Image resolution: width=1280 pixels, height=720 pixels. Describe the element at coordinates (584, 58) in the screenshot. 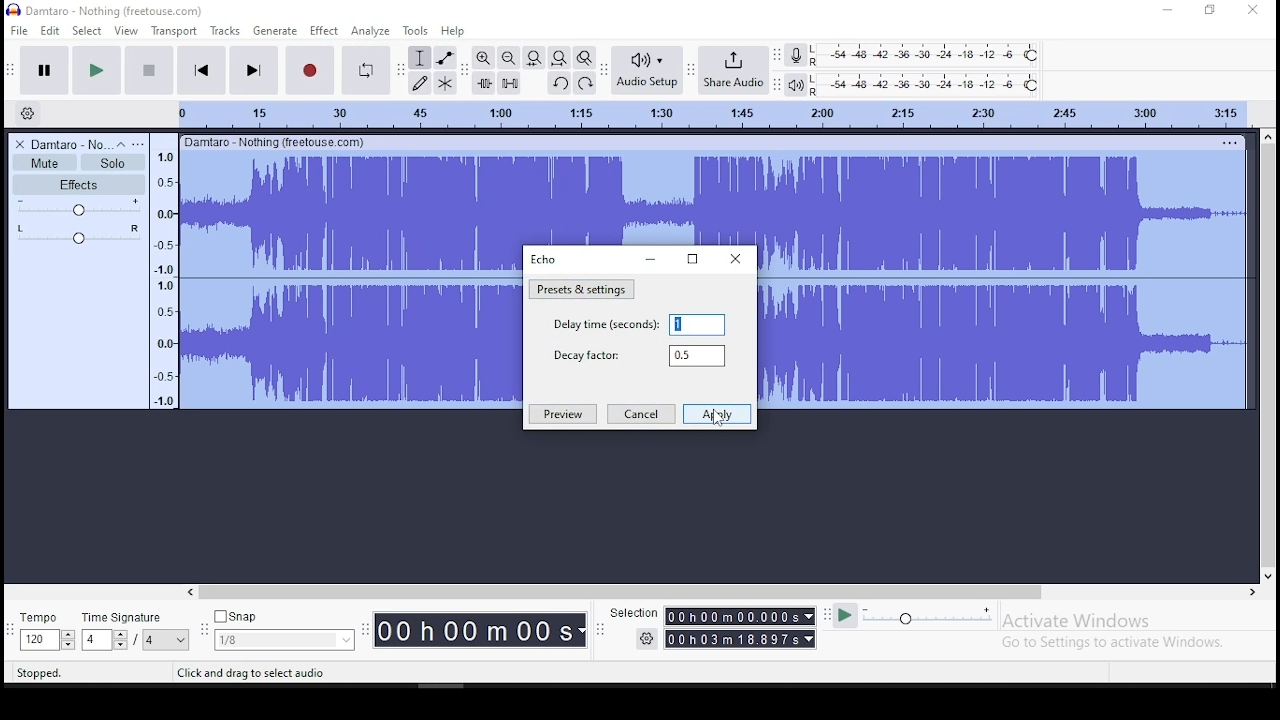

I see `zoom toggle` at that location.